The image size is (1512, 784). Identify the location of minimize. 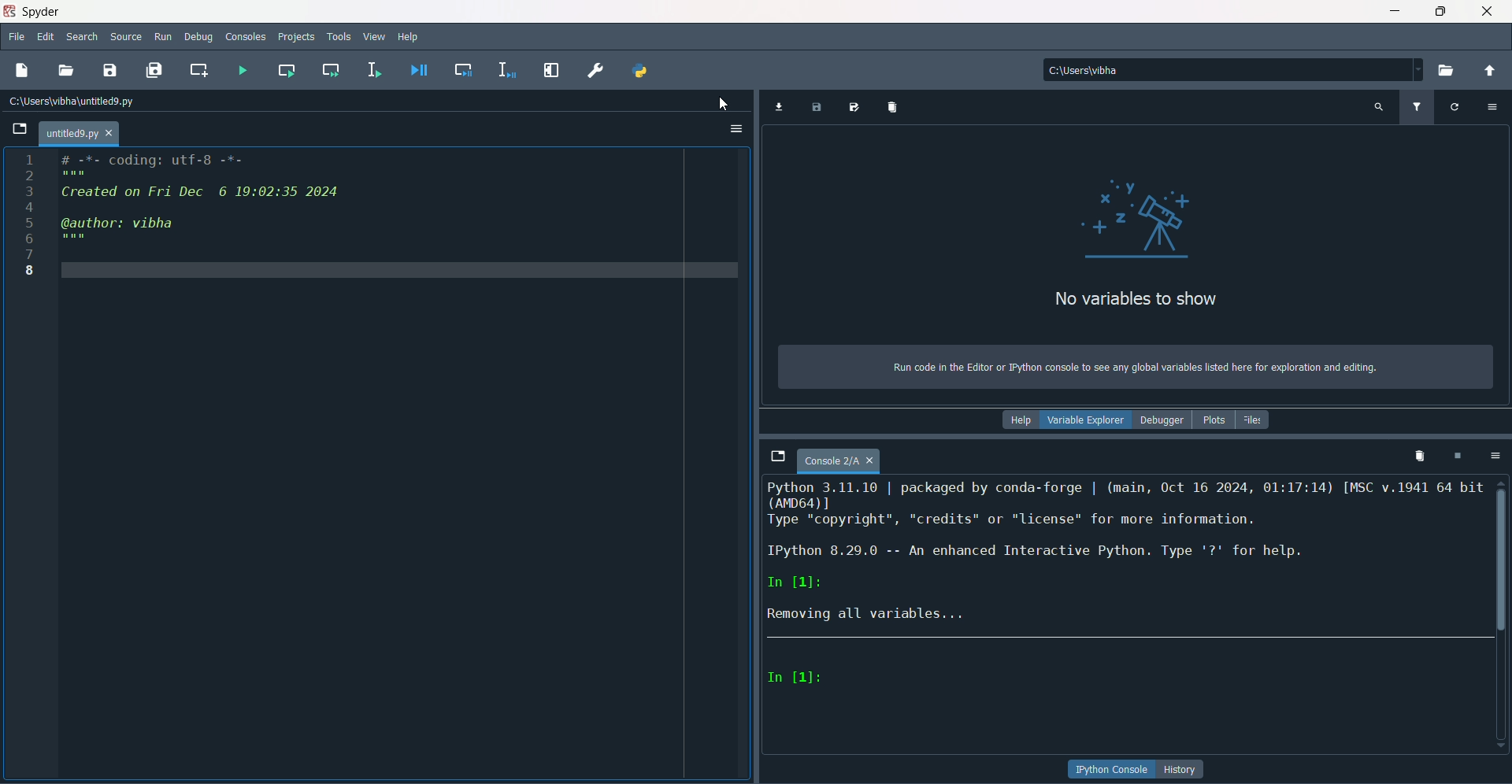
(1395, 11).